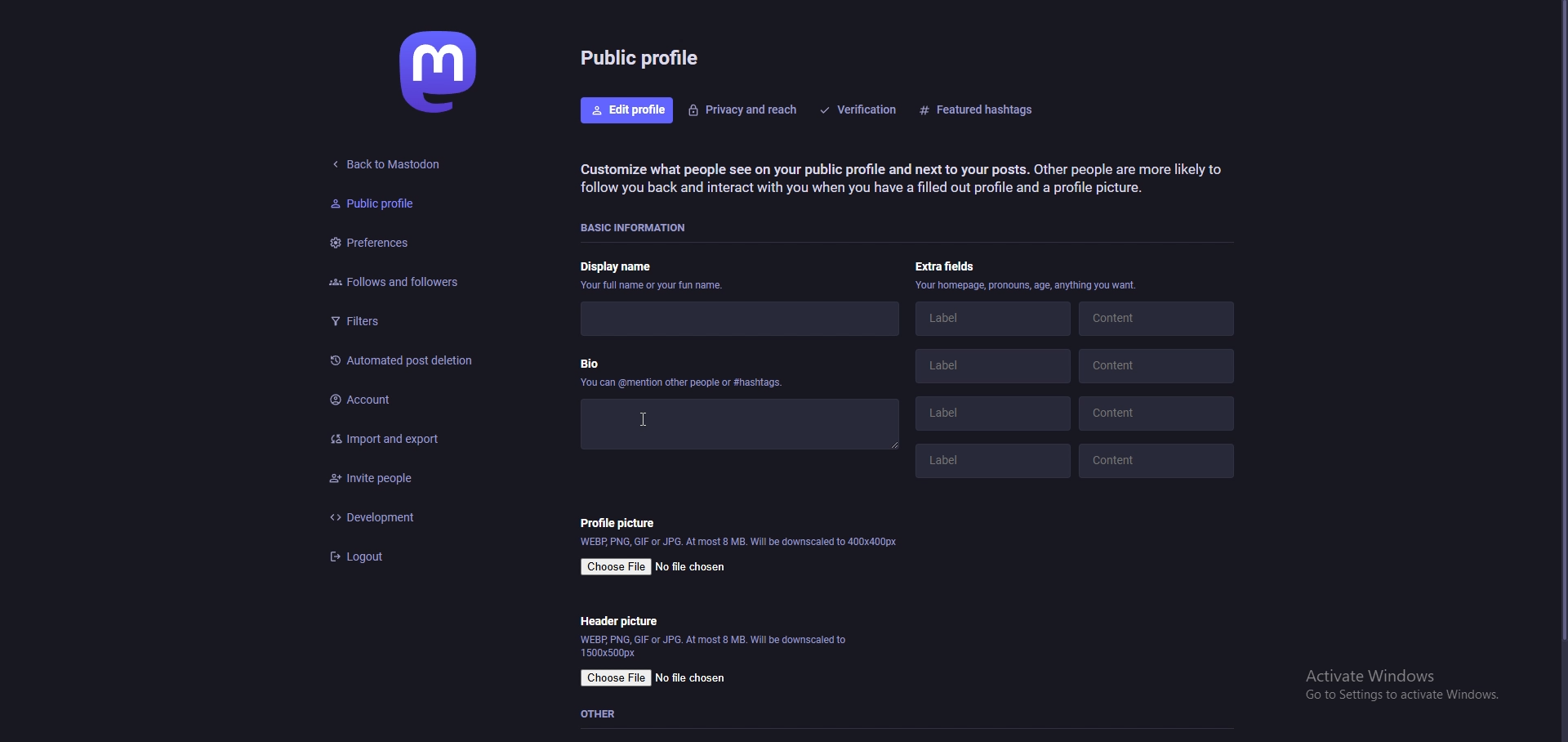  Describe the element at coordinates (994, 365) in the screenshot. I see `label` at that location.